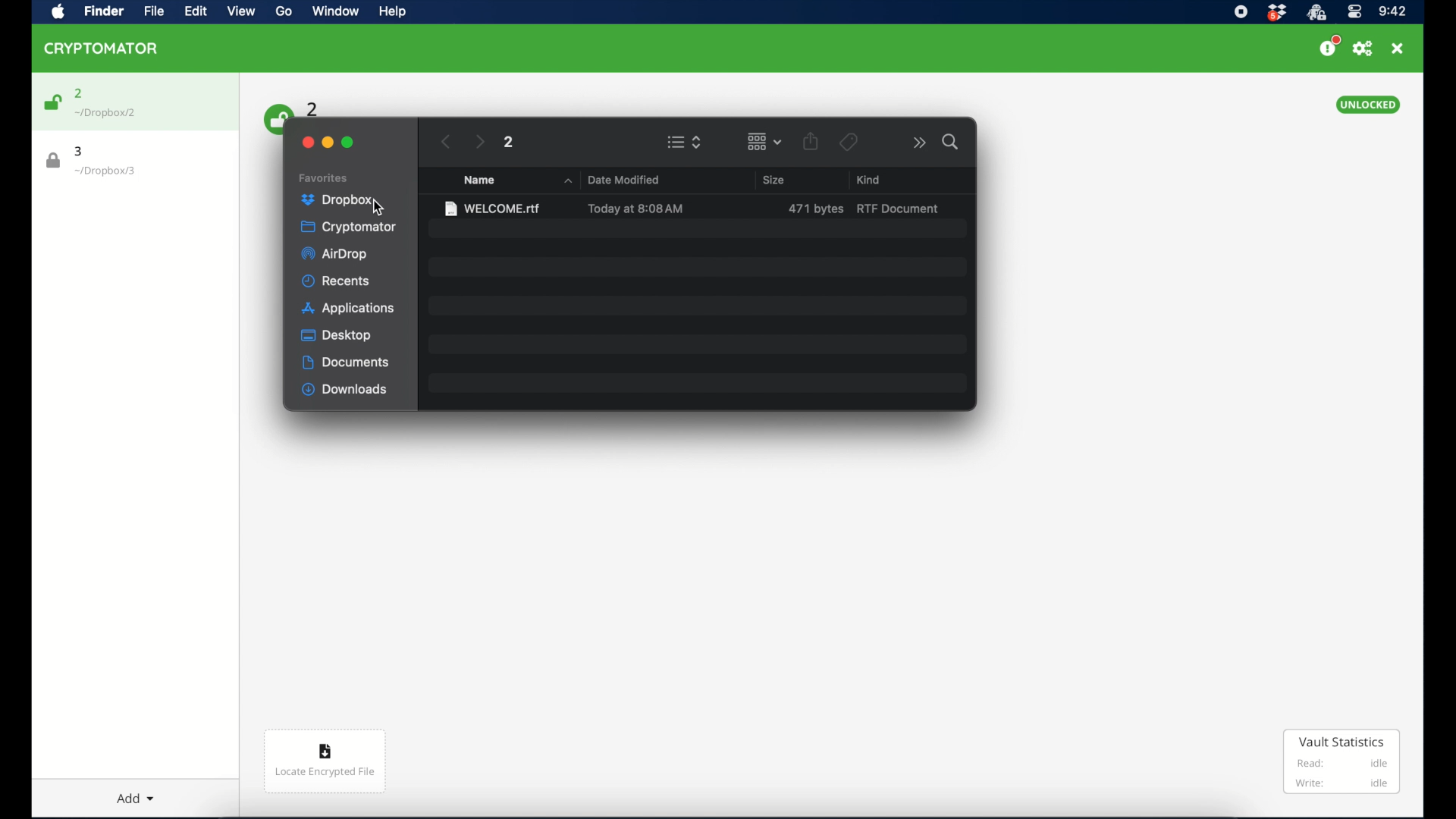  What do you see at coordinates (848, 142) in the screenshot?
I see `tags` at bounding box center [848, 142].